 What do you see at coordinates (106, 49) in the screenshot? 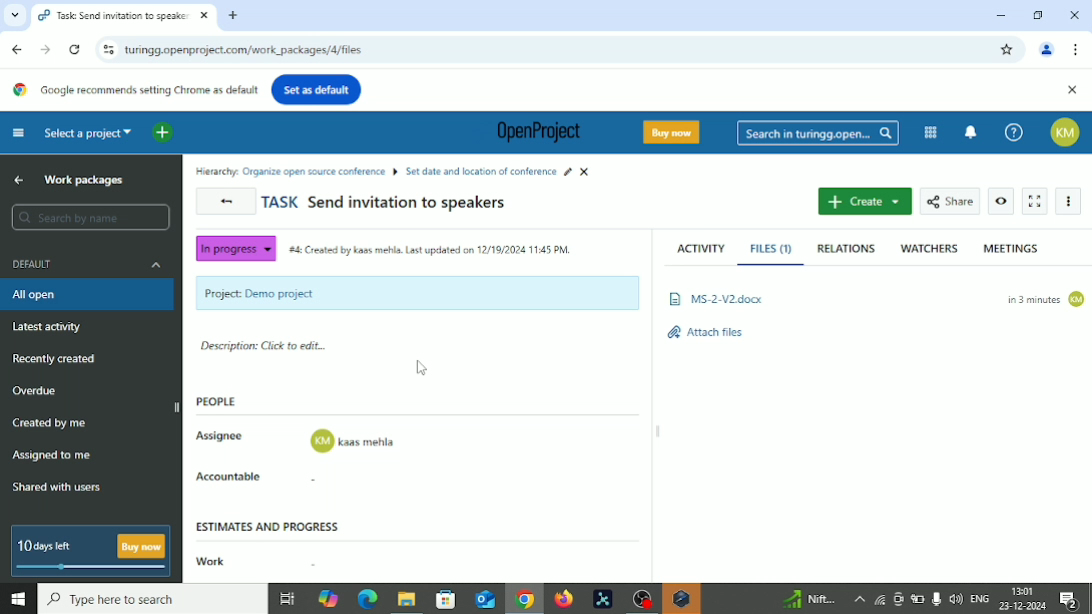
I see `View site information` at bounding box center [106, 49].